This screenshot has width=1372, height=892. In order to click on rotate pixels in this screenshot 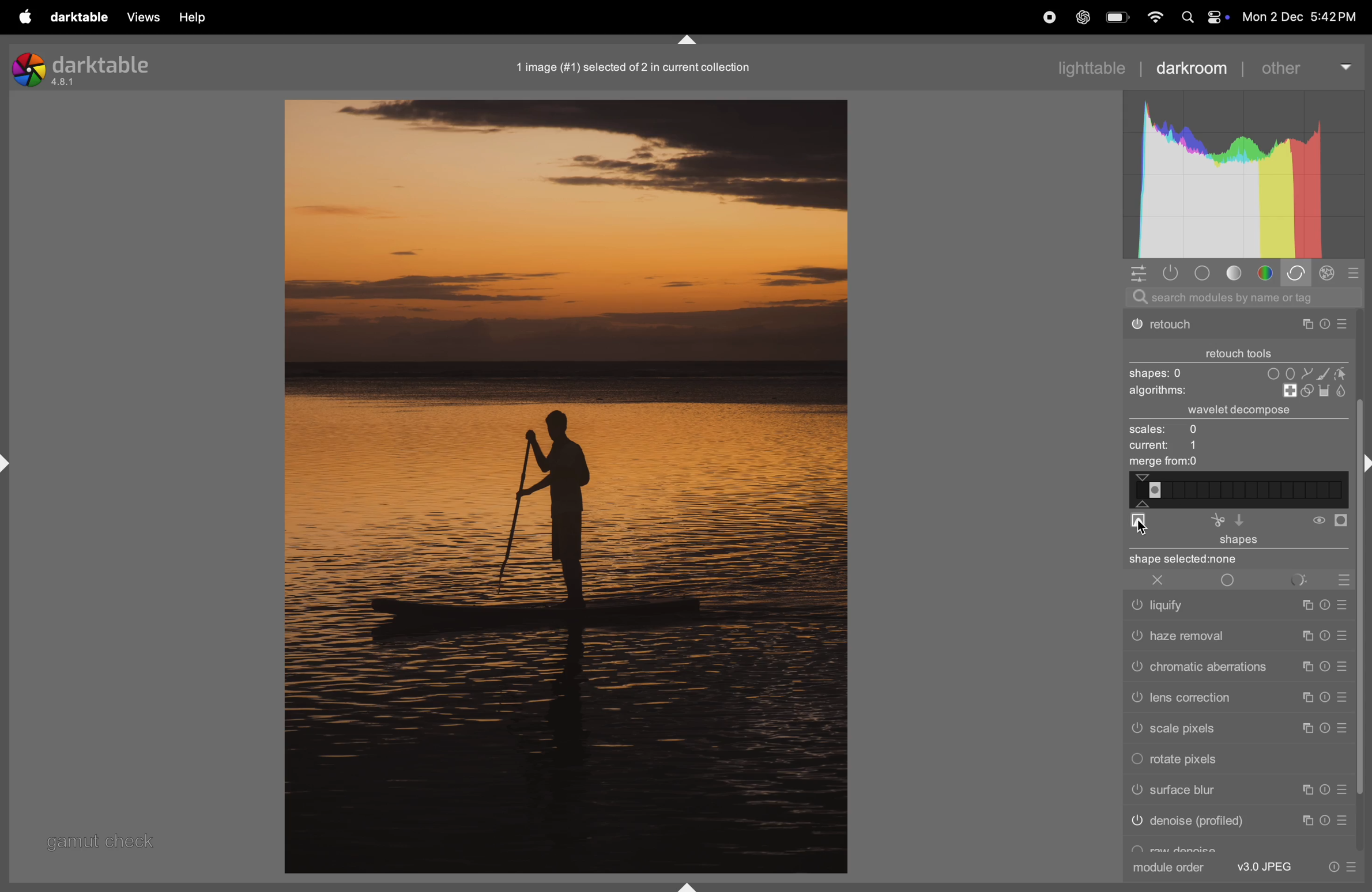, I will do `click(1185, 758)`.